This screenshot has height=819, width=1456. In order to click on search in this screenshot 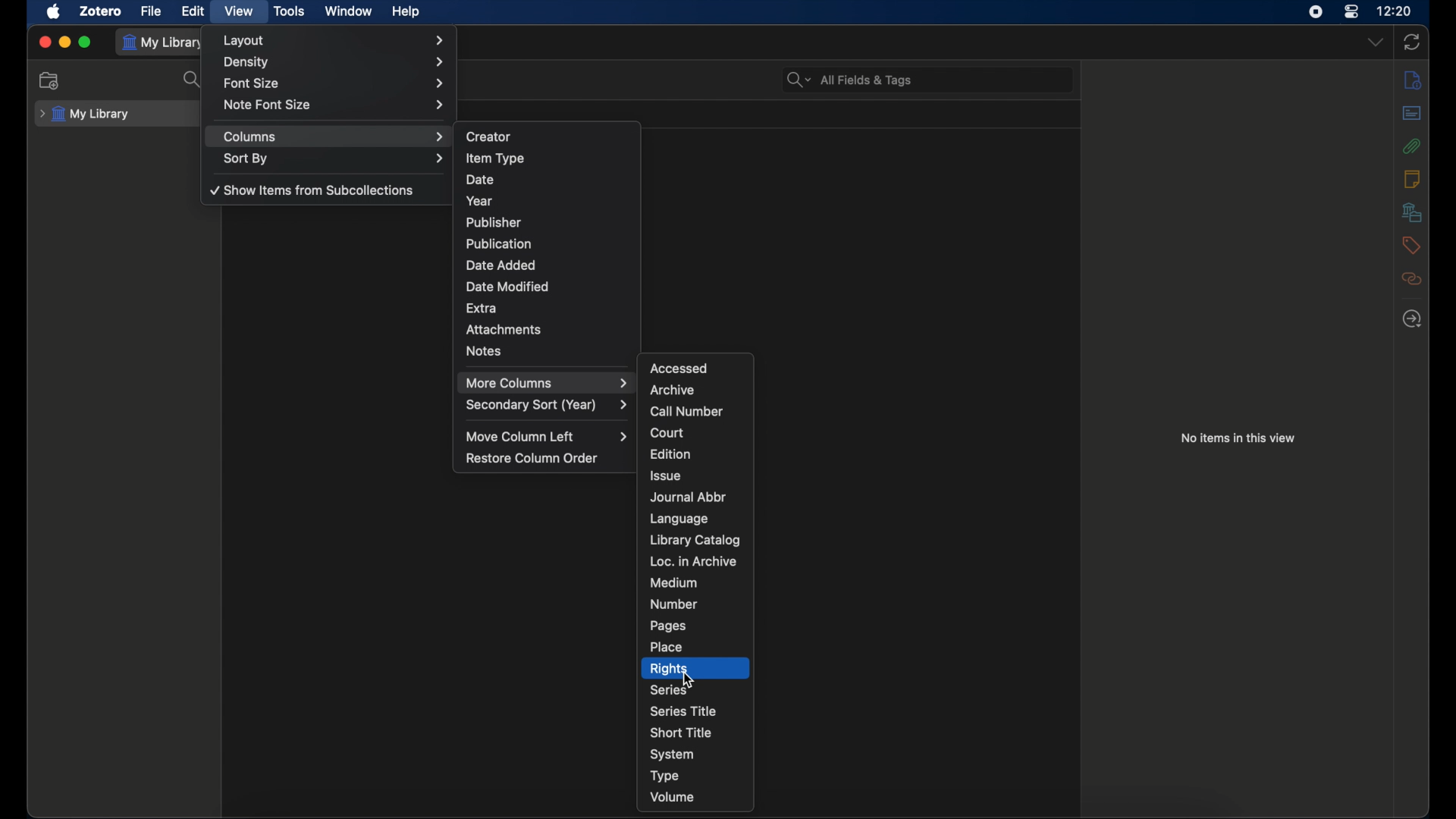, I will do `click(193, 80)`.